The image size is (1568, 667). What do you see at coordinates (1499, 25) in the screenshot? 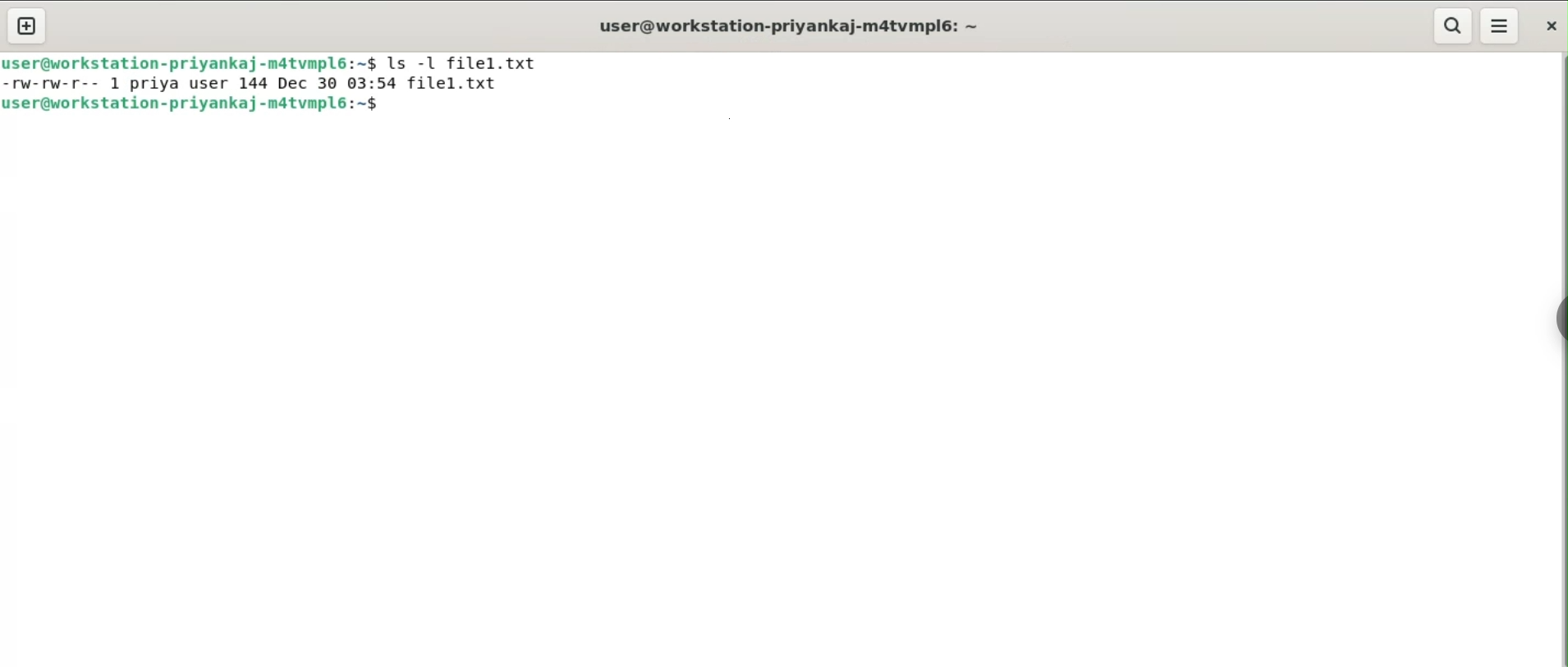
I see `menu` at bounding box center [1499, 25].